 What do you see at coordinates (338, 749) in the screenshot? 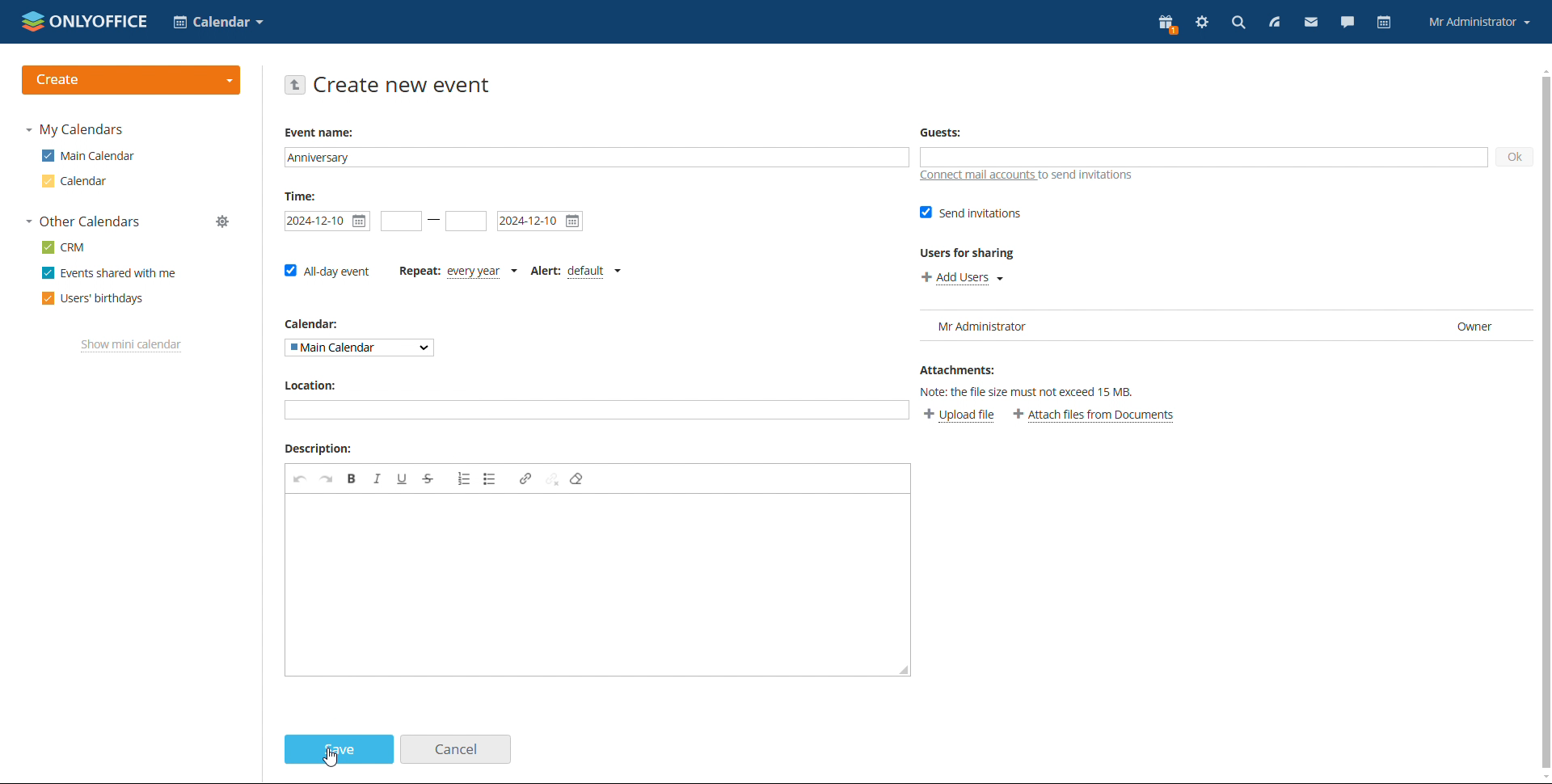
I see `save` at bounding box center [338, 749].